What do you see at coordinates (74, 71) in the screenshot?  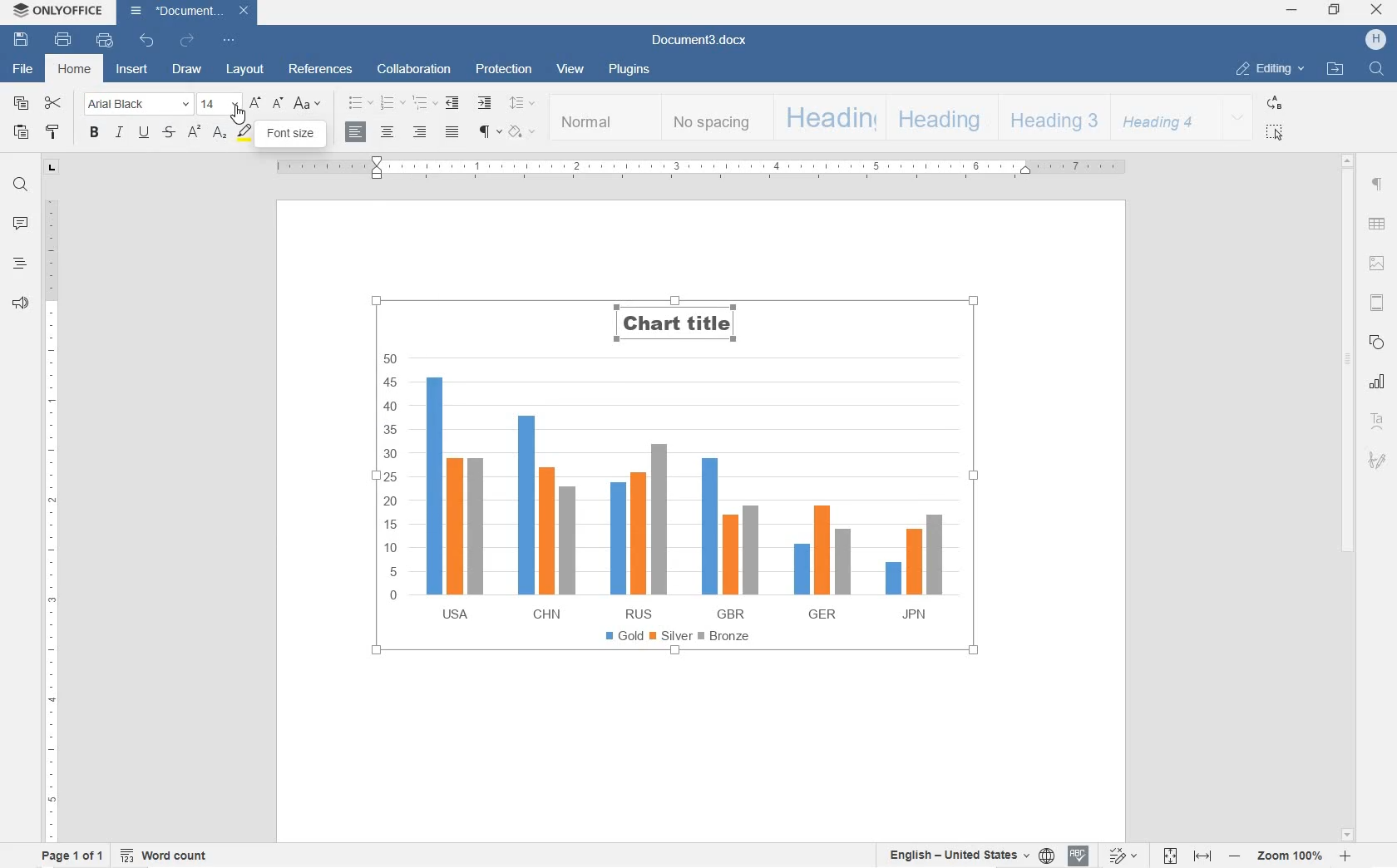 I see `HOME` at bounding box center [74, 71].